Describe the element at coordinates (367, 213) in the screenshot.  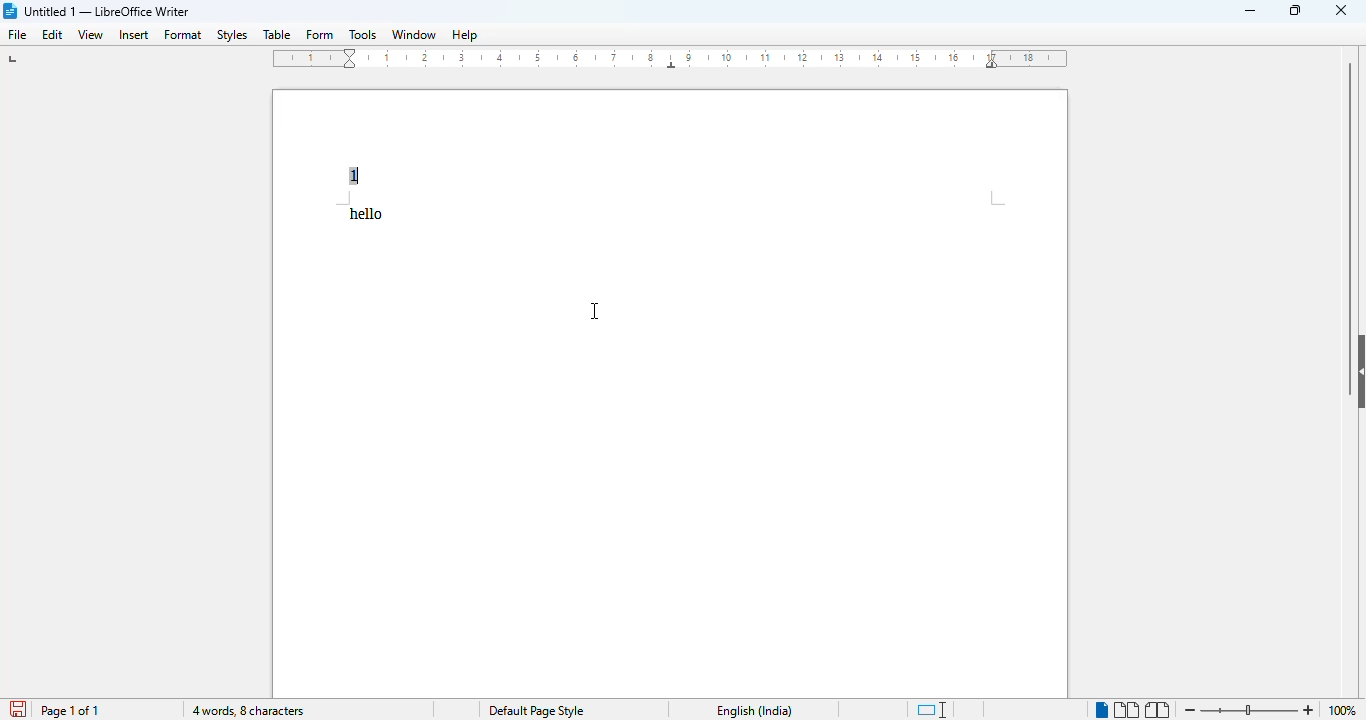
I see `text` at that location.